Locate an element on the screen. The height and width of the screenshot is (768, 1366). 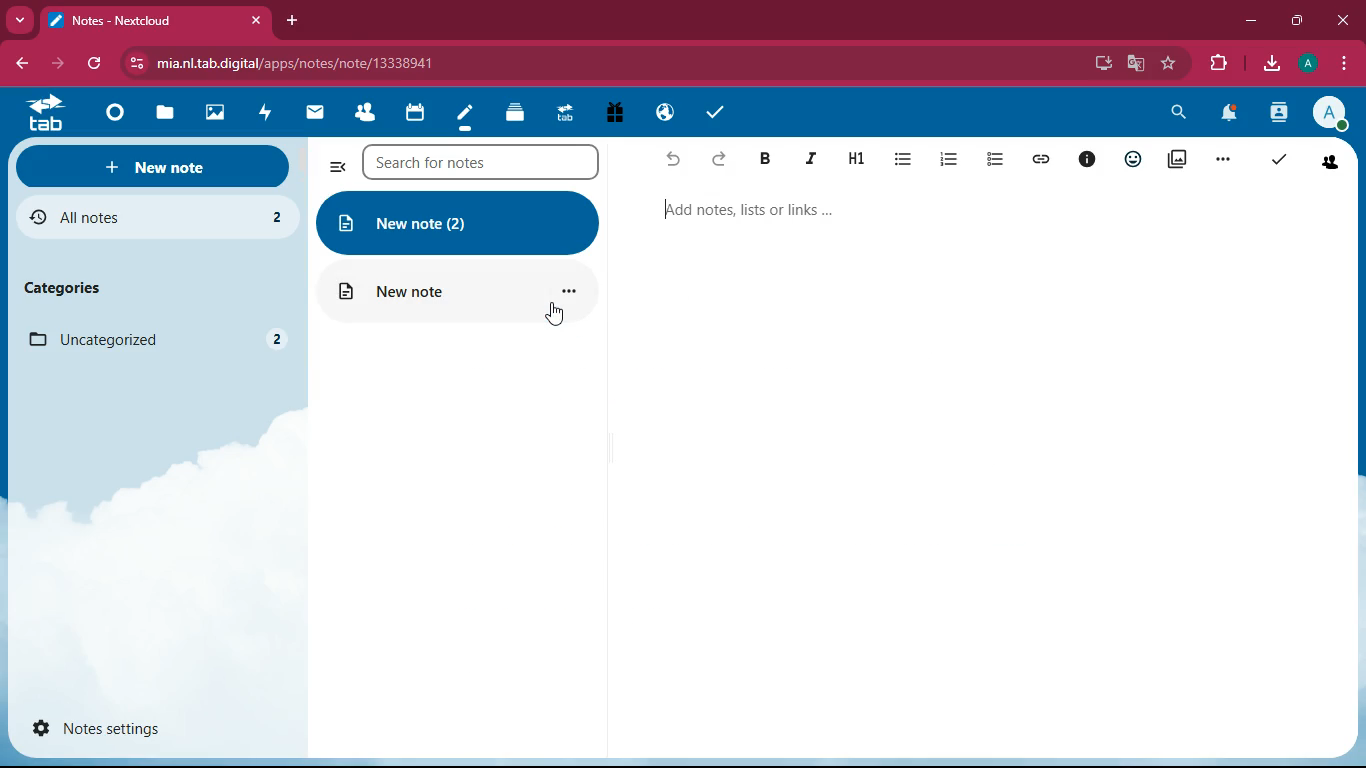
more is located at coordinates (335, 165).